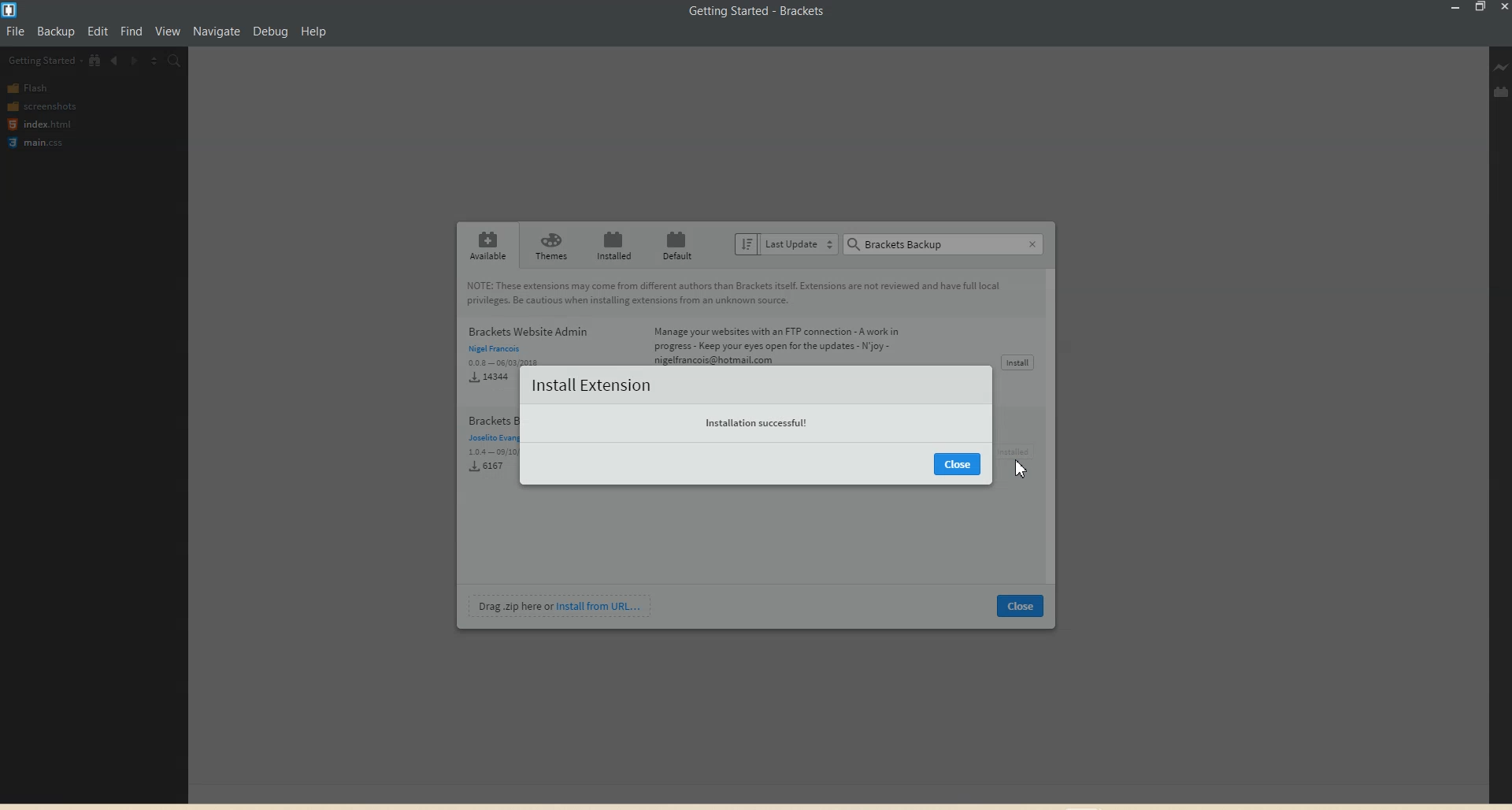 The width and height of the screenshot is (1512, 810). What do you see at coordinates (154, 61) in the screenshot?
I see `Split The Editor vertically and Horizontally` at bounding box center [154, 61].